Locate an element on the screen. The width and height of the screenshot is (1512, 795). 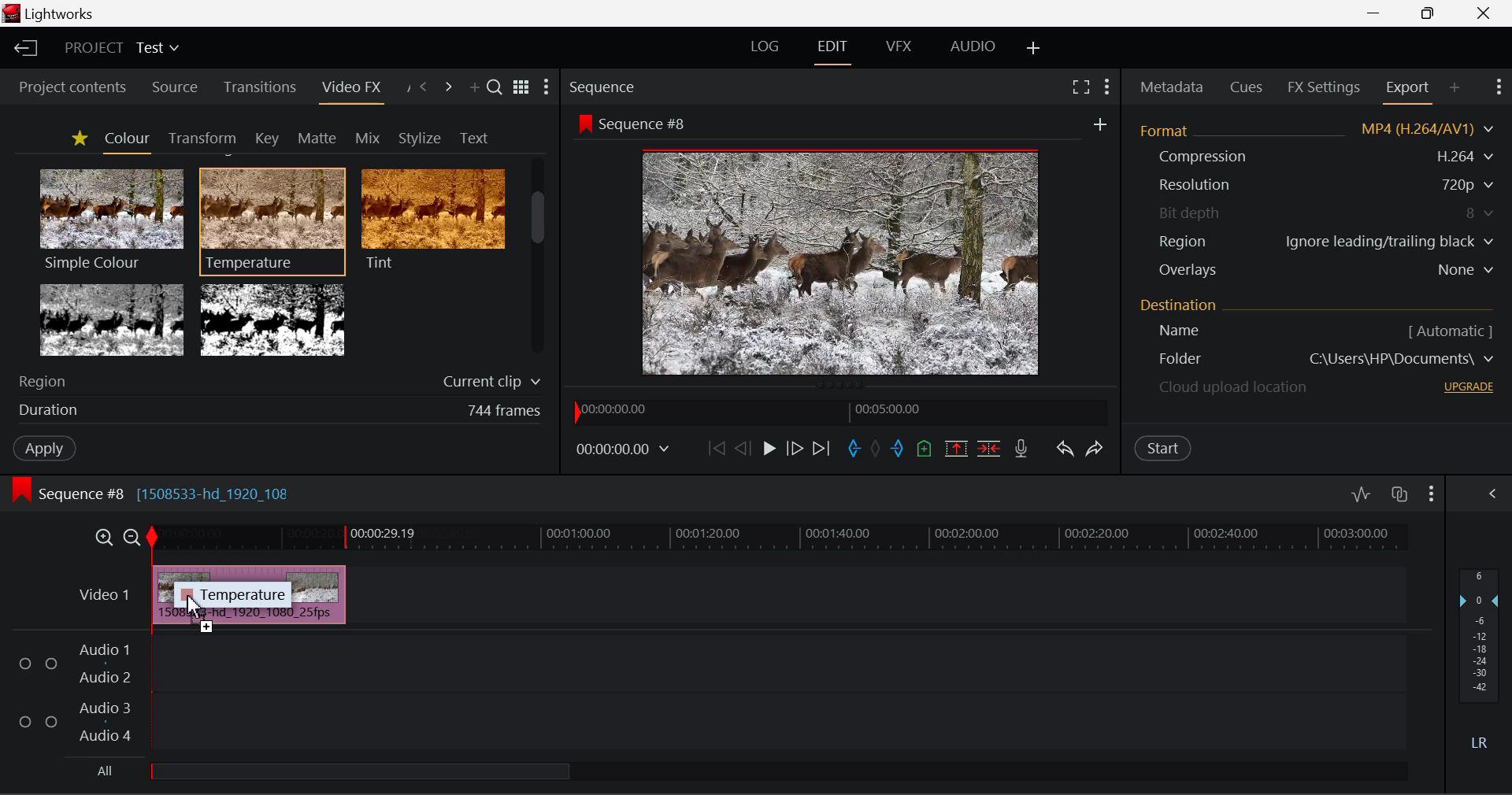
720p  is located at coordinates (1469, 184).